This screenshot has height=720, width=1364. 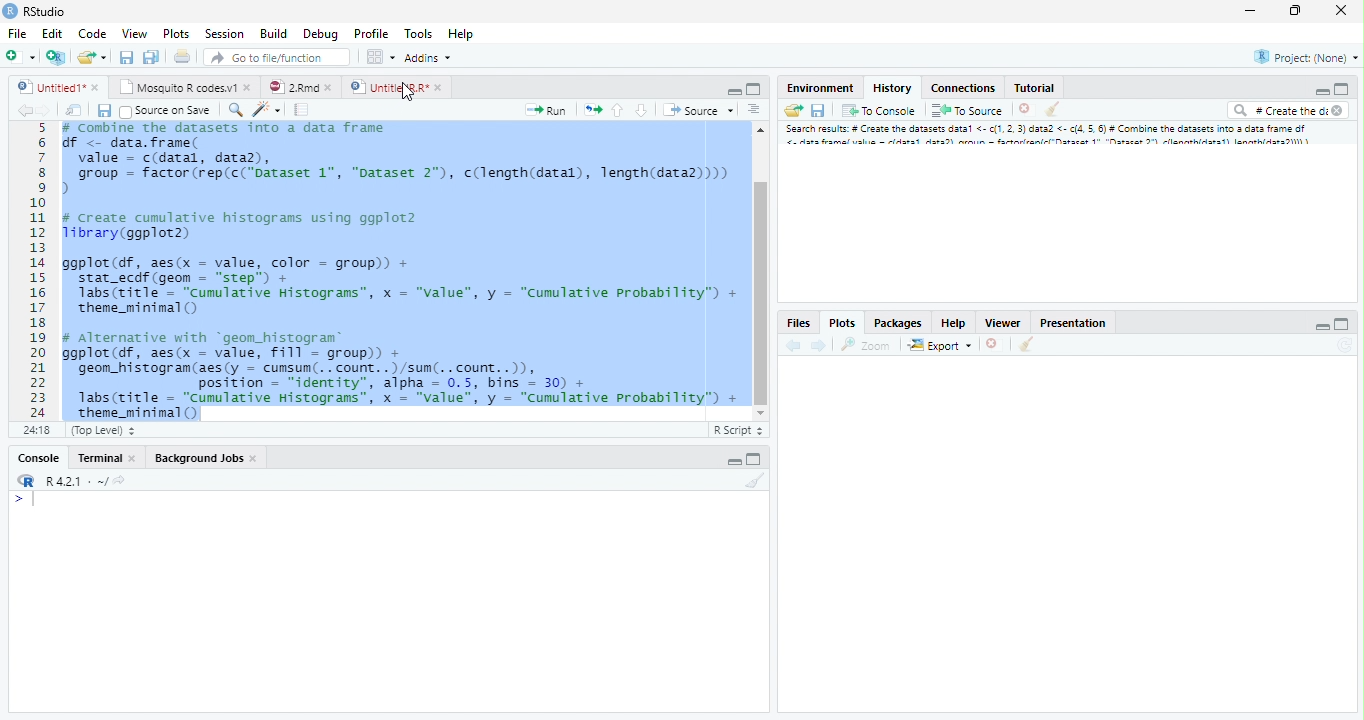 I want to click on back, so click(x=794, y=347).